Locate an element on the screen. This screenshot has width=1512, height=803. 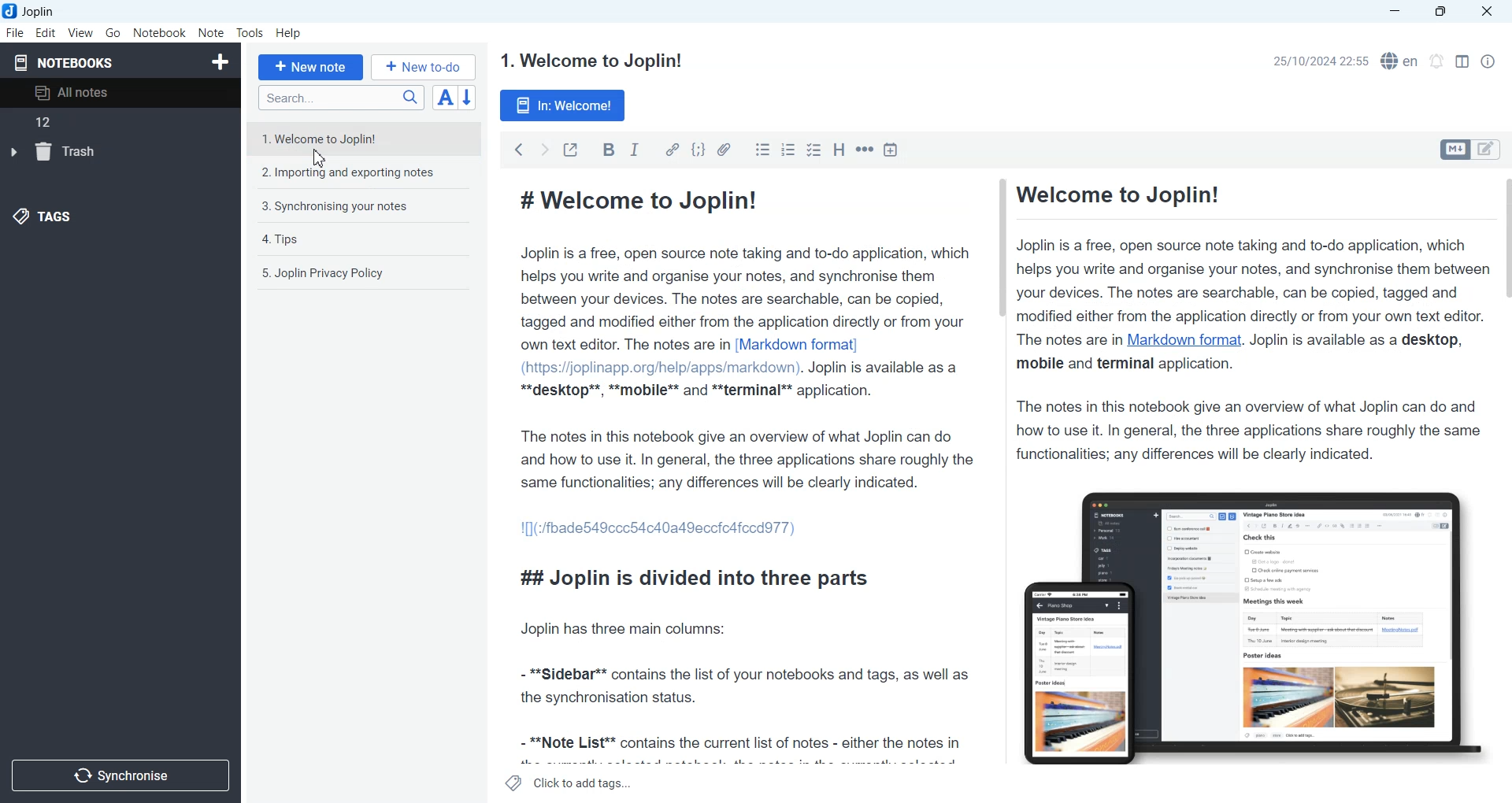
Forward is located at coordinates (544, 149).